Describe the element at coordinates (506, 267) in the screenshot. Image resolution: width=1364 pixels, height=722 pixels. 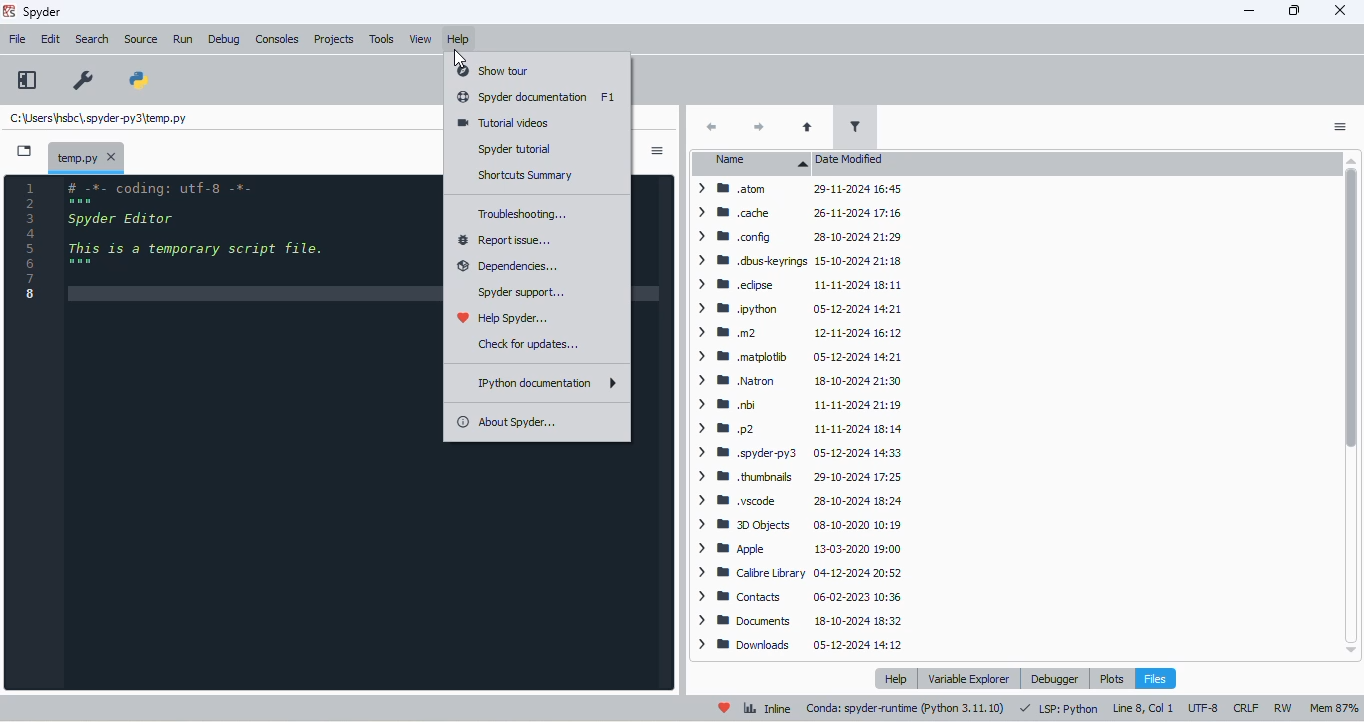
I see `dependencies` at that location.